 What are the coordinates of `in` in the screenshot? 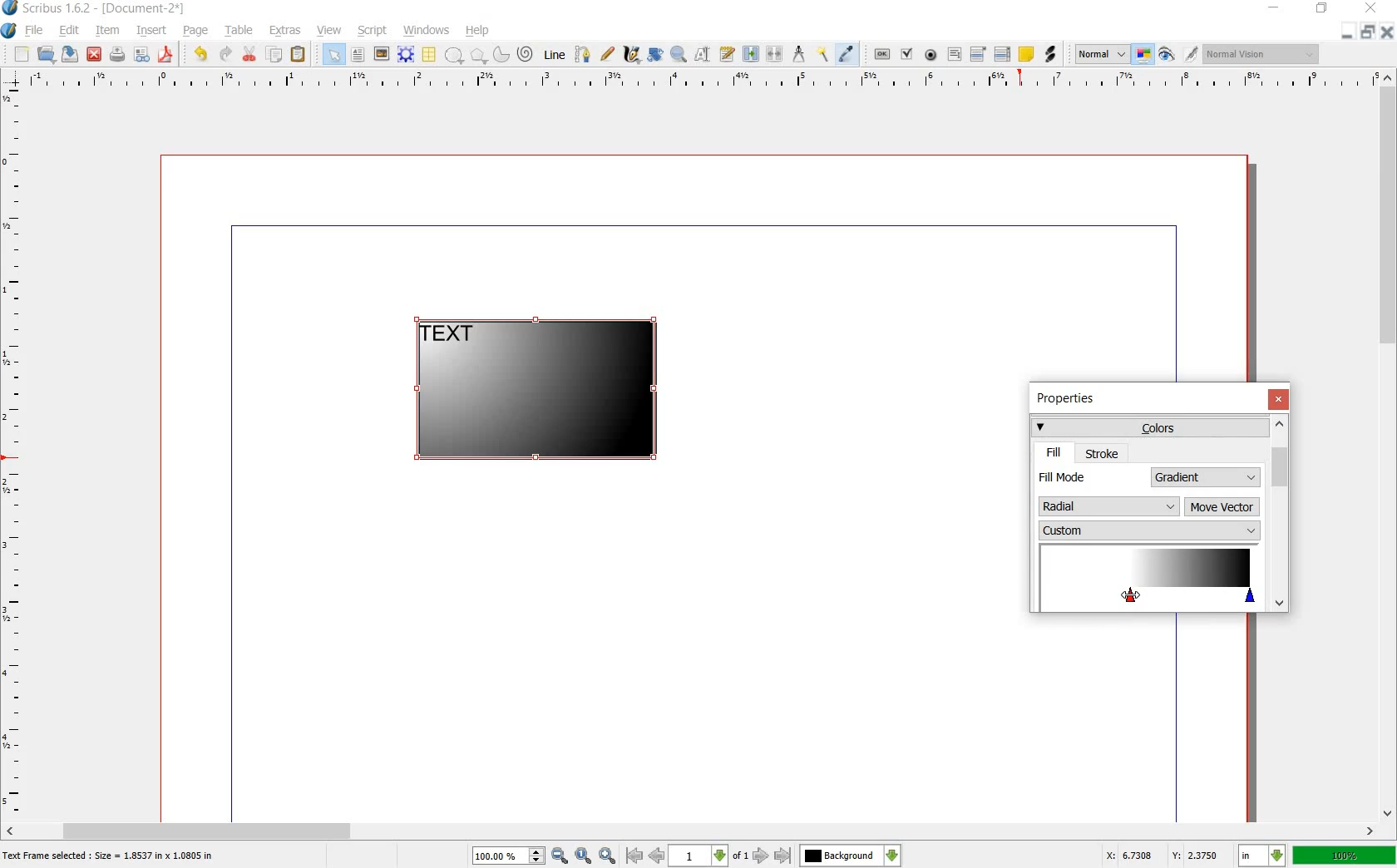 It's located at (1263, 856).